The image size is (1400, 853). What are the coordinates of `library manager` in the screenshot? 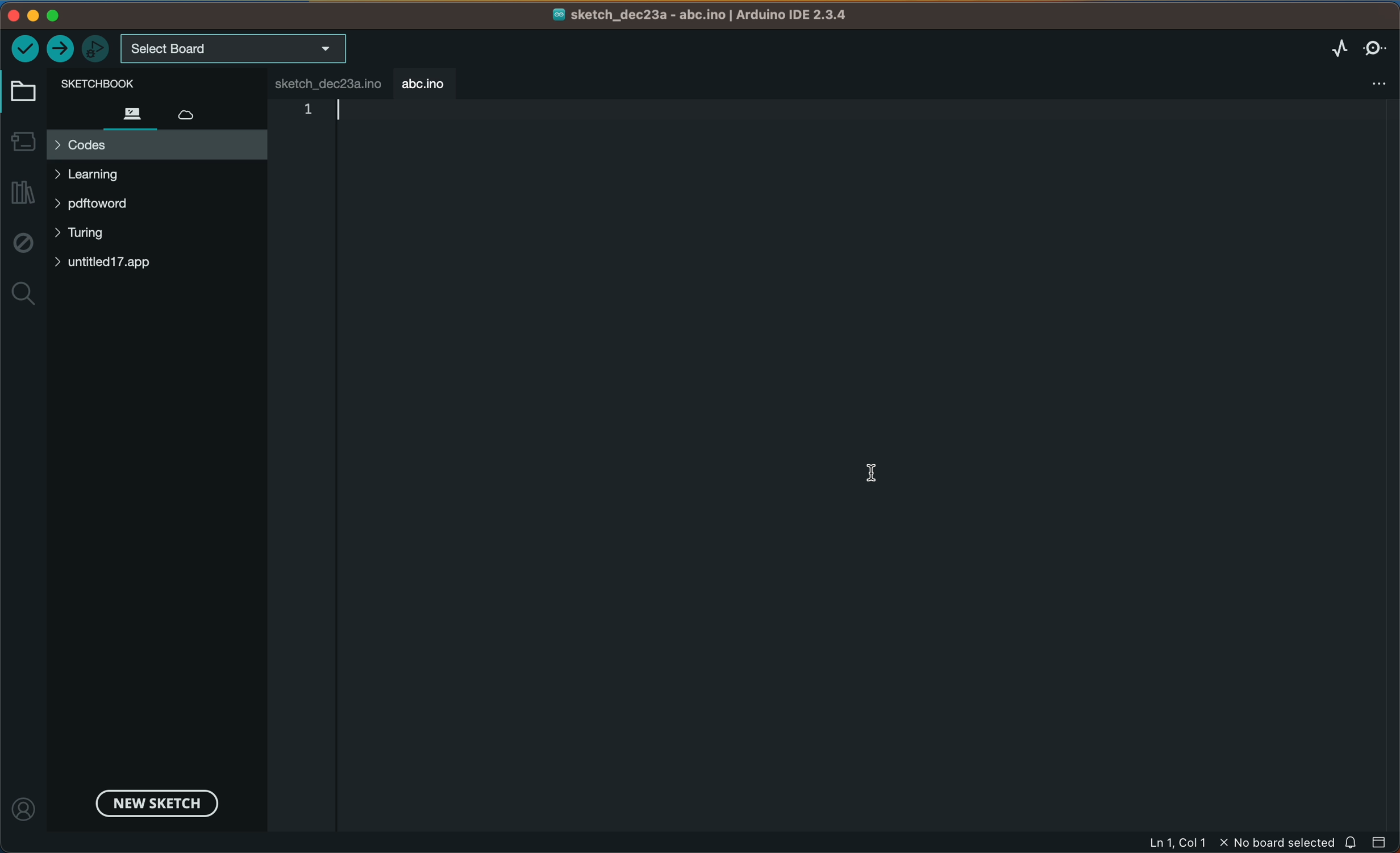 It's located at (24, 193).